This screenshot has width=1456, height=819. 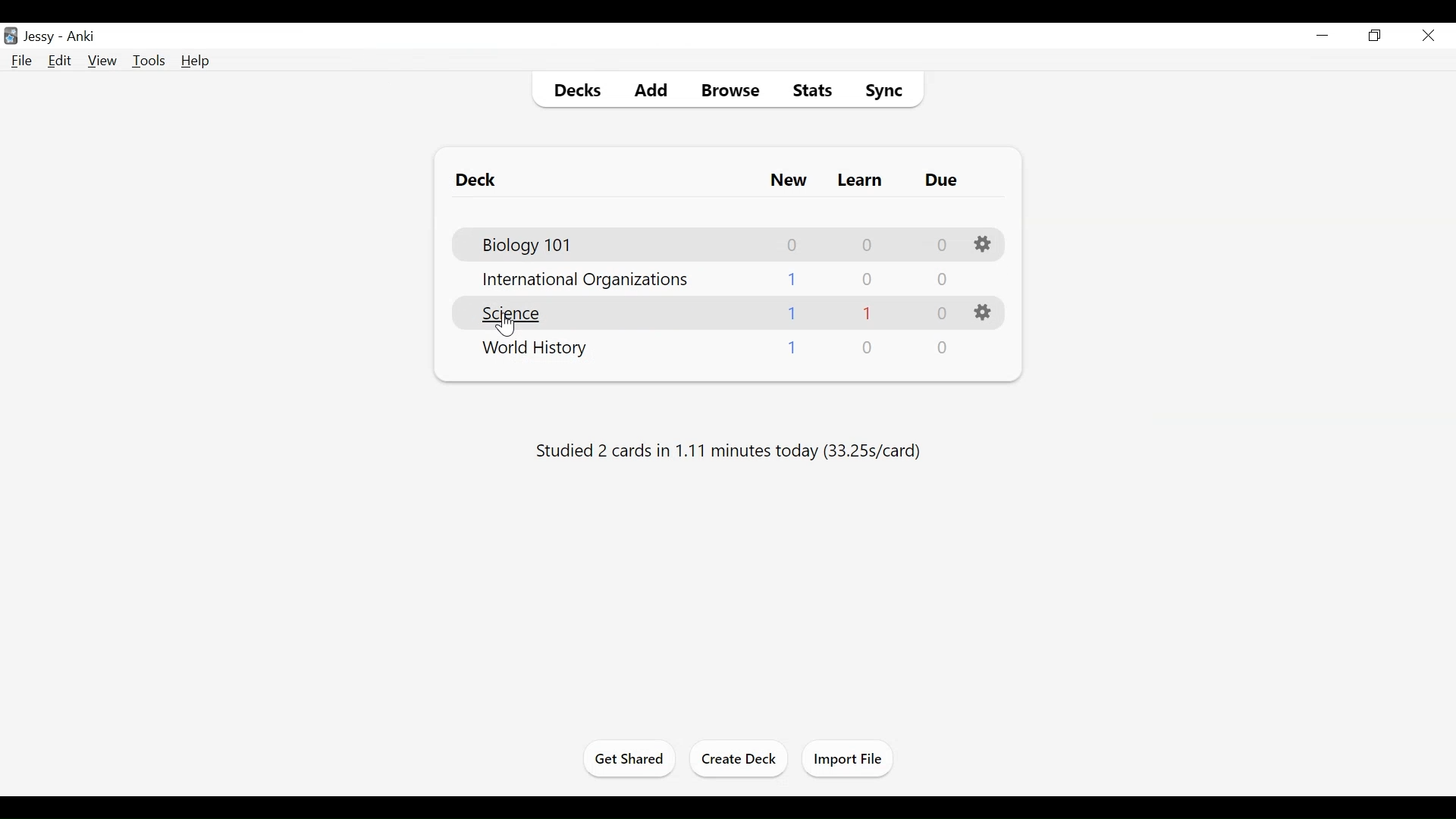 What do you see at coordinates (845, 758) in the screenshot?
I see `Import File` at bounding box center [845, 758].